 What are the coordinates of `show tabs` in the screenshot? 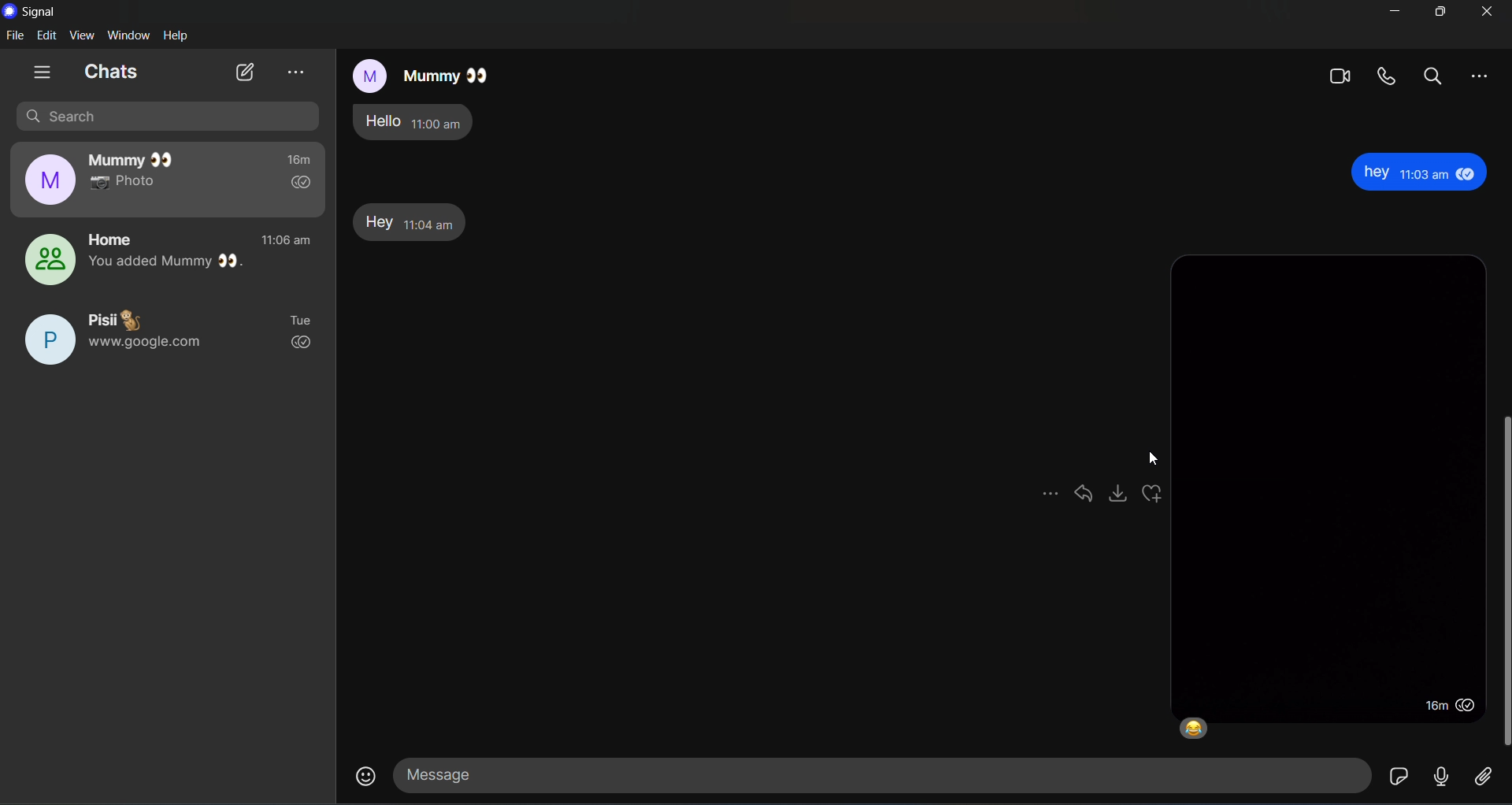 It's located at (42, 72).